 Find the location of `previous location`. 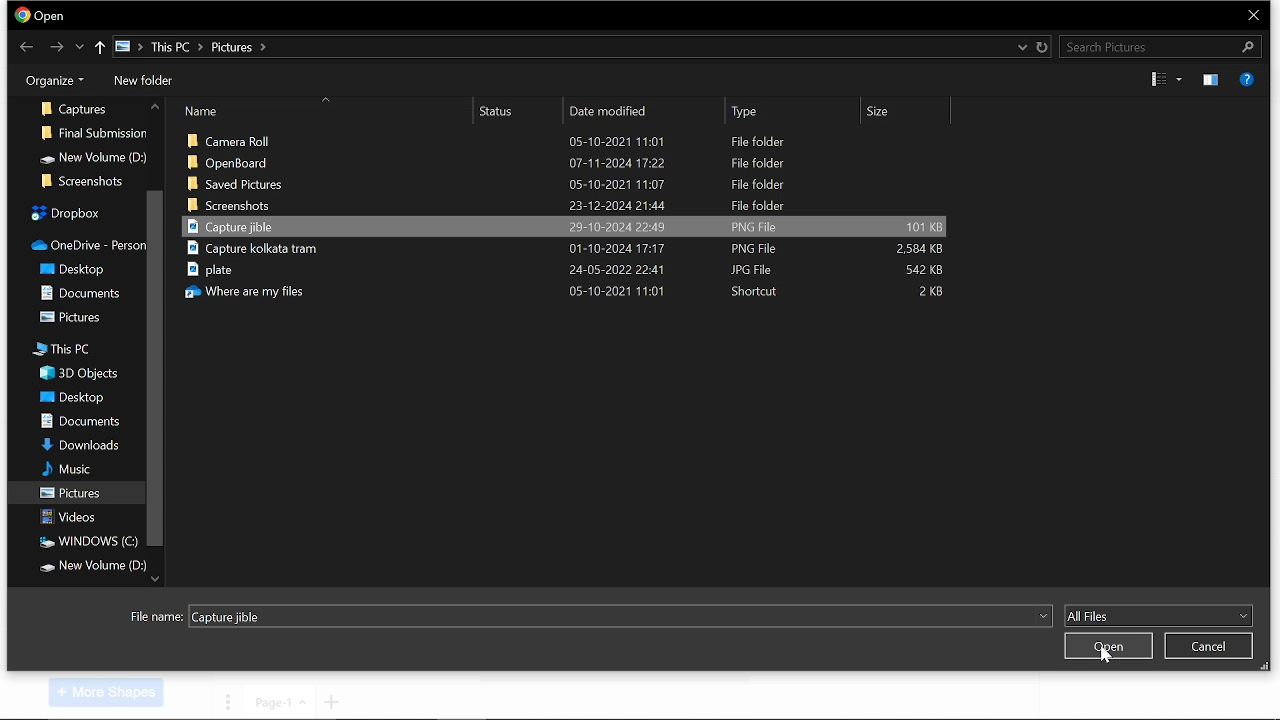

previous location is located at coordinates (80, 48).